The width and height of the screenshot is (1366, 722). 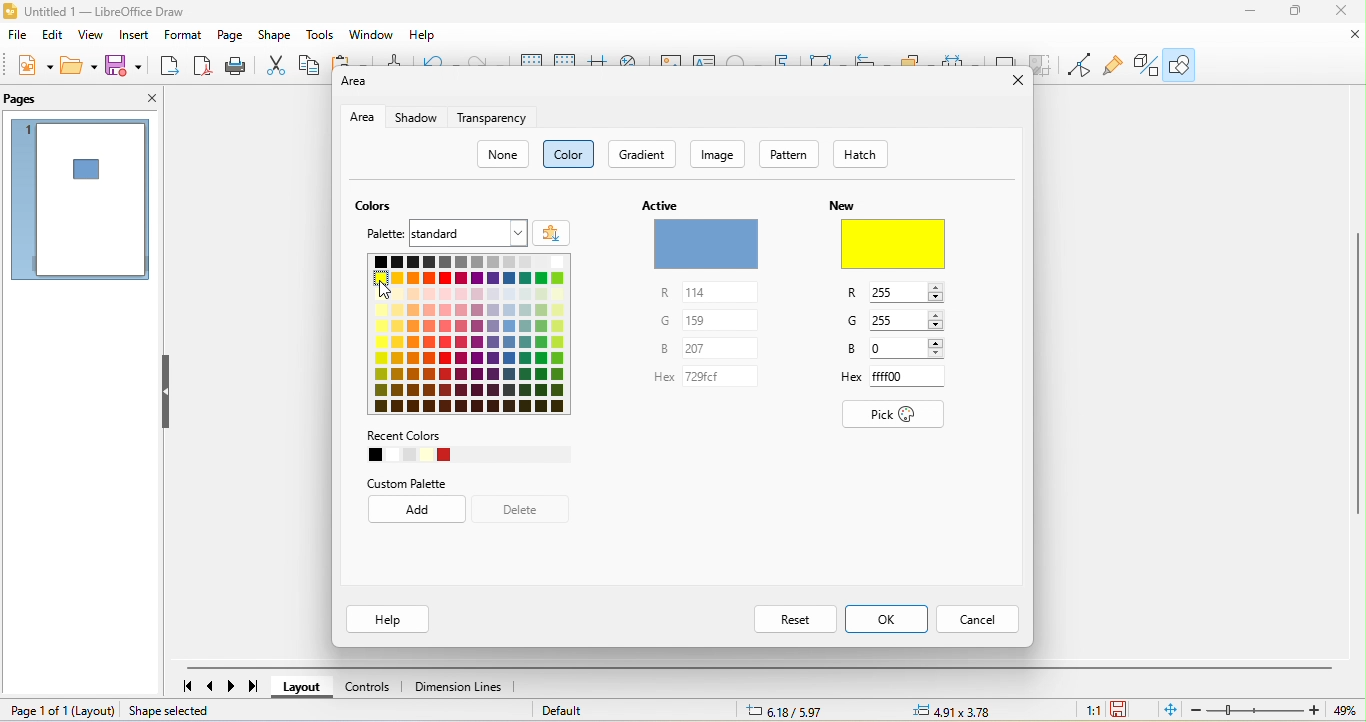 I want to click on color change, so click(x=890, y=235).